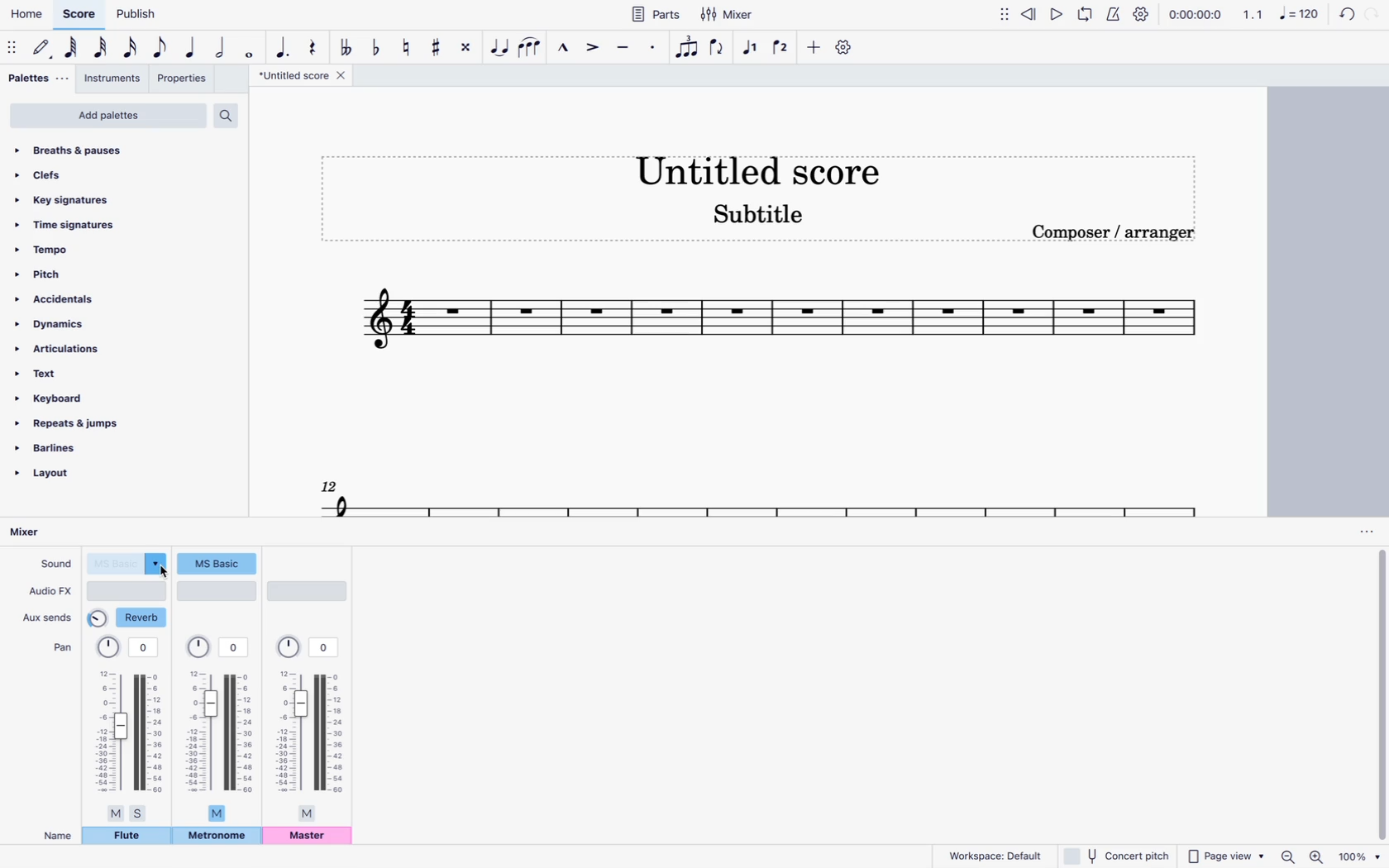 The image size is (1389, 868). I want to click on articulations, so click(62, 351).